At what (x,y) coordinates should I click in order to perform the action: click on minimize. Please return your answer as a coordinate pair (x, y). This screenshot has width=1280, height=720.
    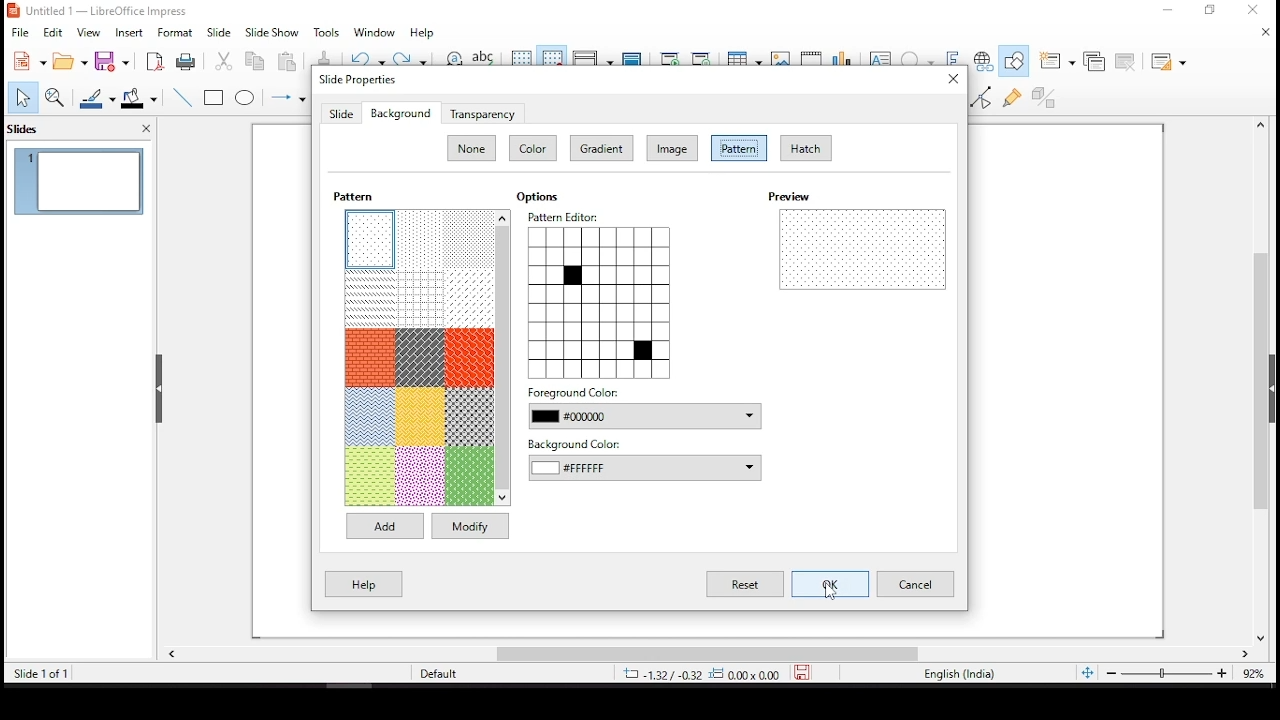
    Looking at the image, I should click on (1168, 9).